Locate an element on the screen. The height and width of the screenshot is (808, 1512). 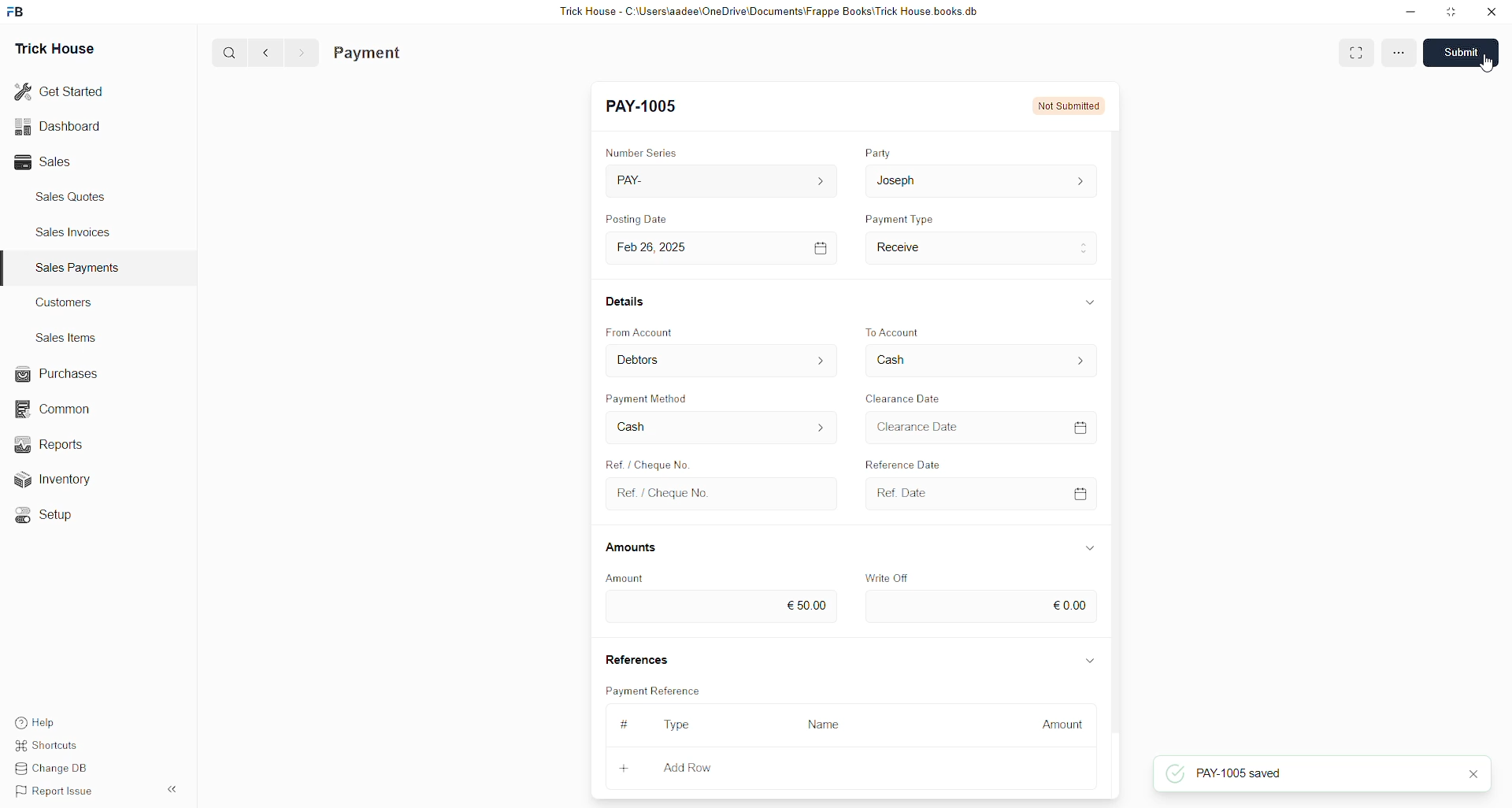
Clearance Date is located at coordinates (981, 427).